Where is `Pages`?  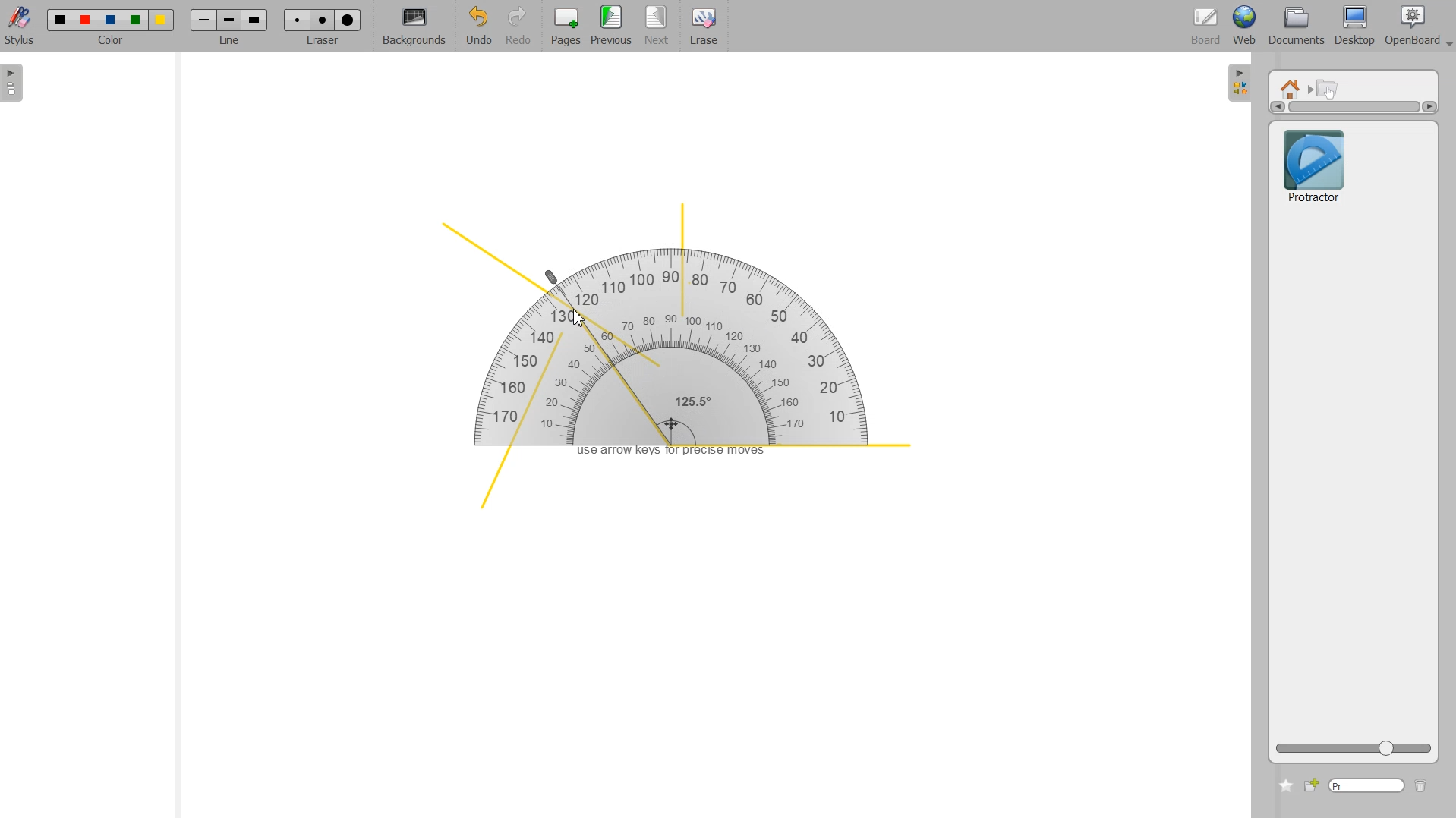
Pages is located at coordinates (564, 27).